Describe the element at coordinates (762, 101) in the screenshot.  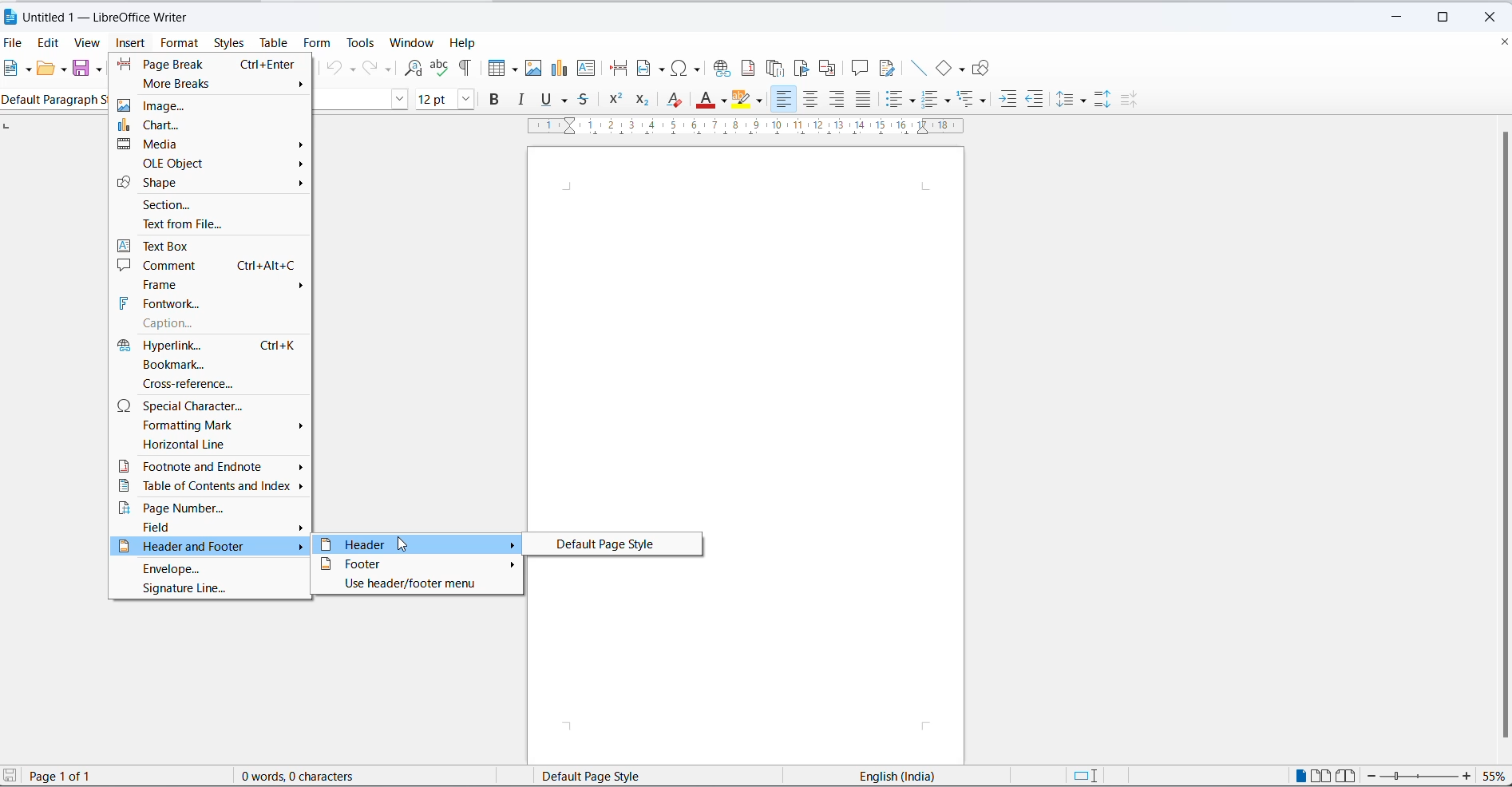
I see `character highlighting options` at that location.